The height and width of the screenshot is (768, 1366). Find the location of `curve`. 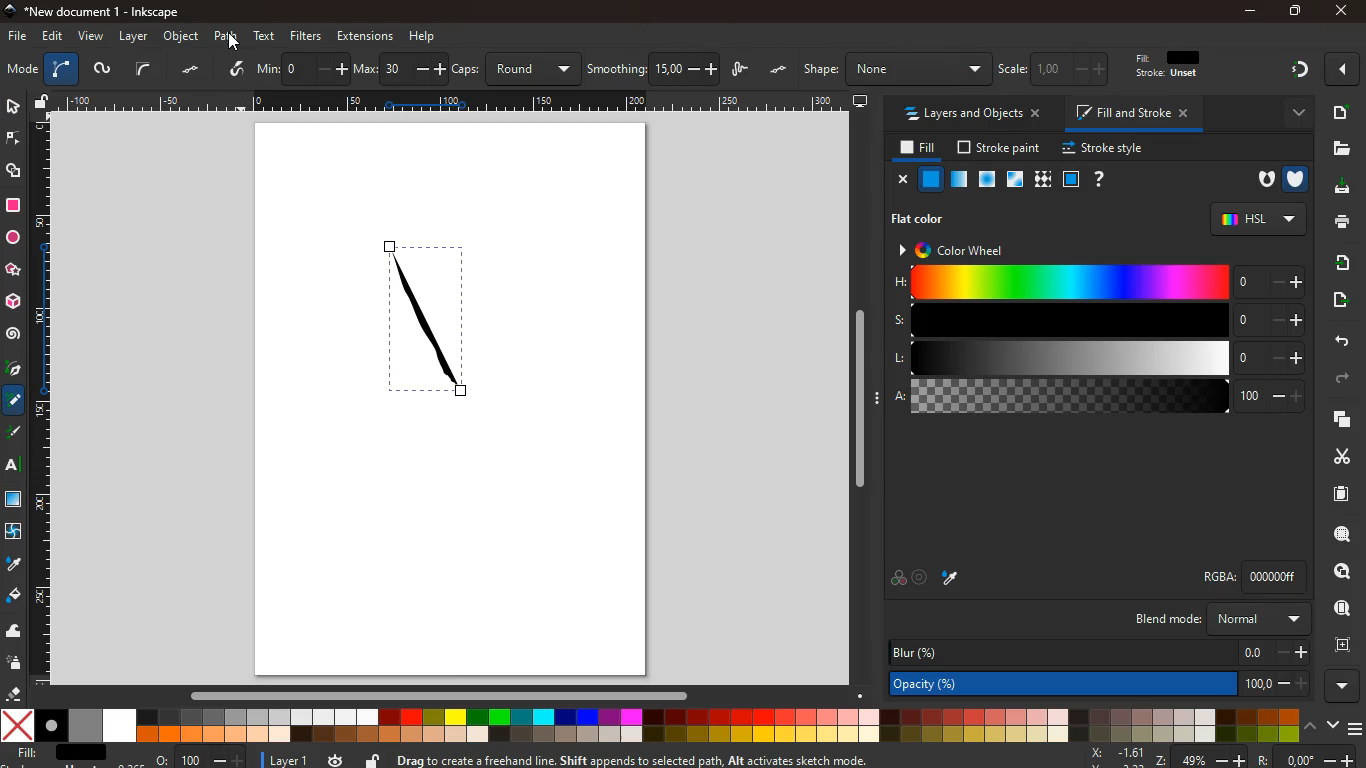

curve is located at coordinates (61, 70).